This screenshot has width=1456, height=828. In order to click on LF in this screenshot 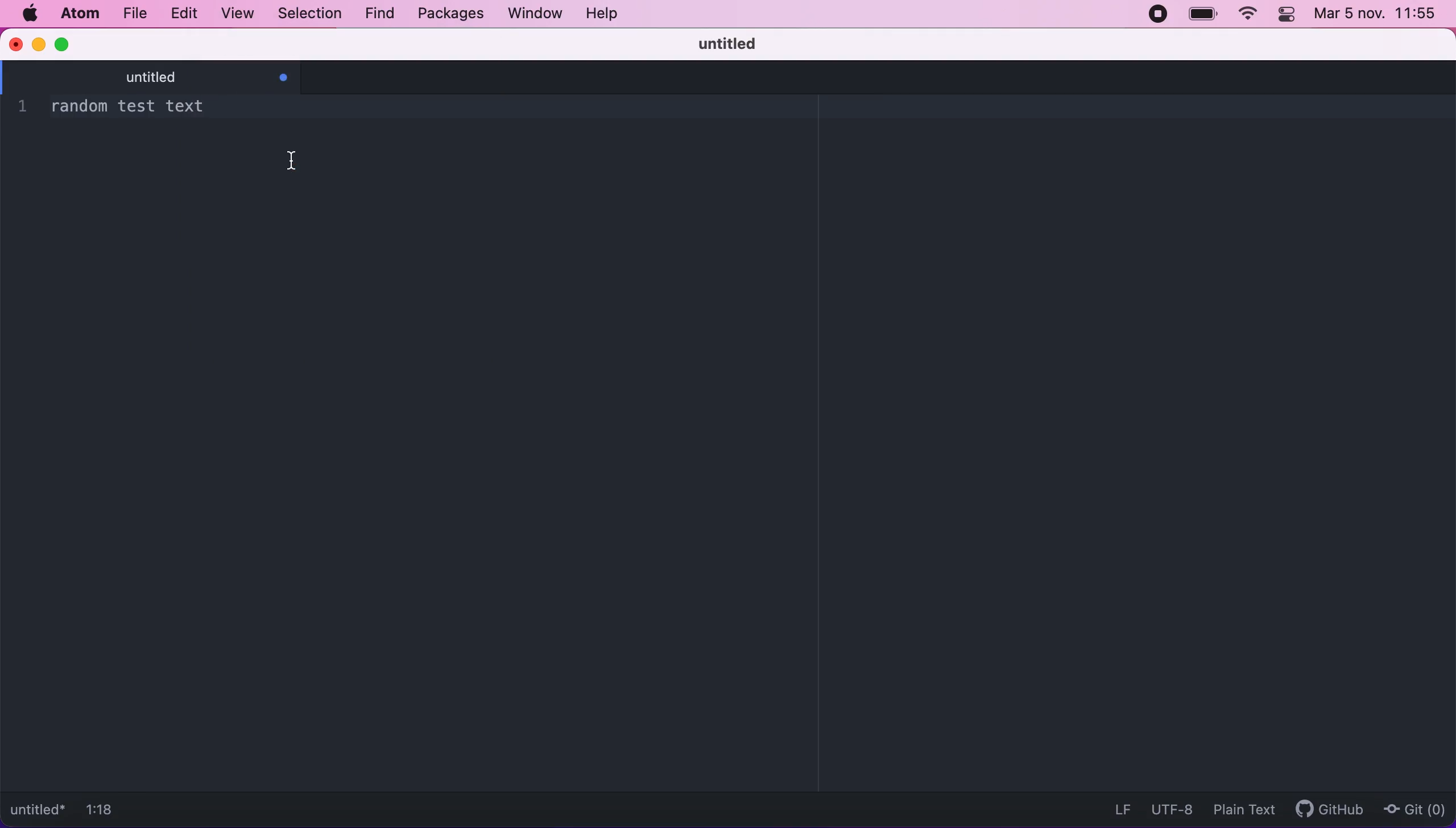, I will do `click(1118, 808)`.